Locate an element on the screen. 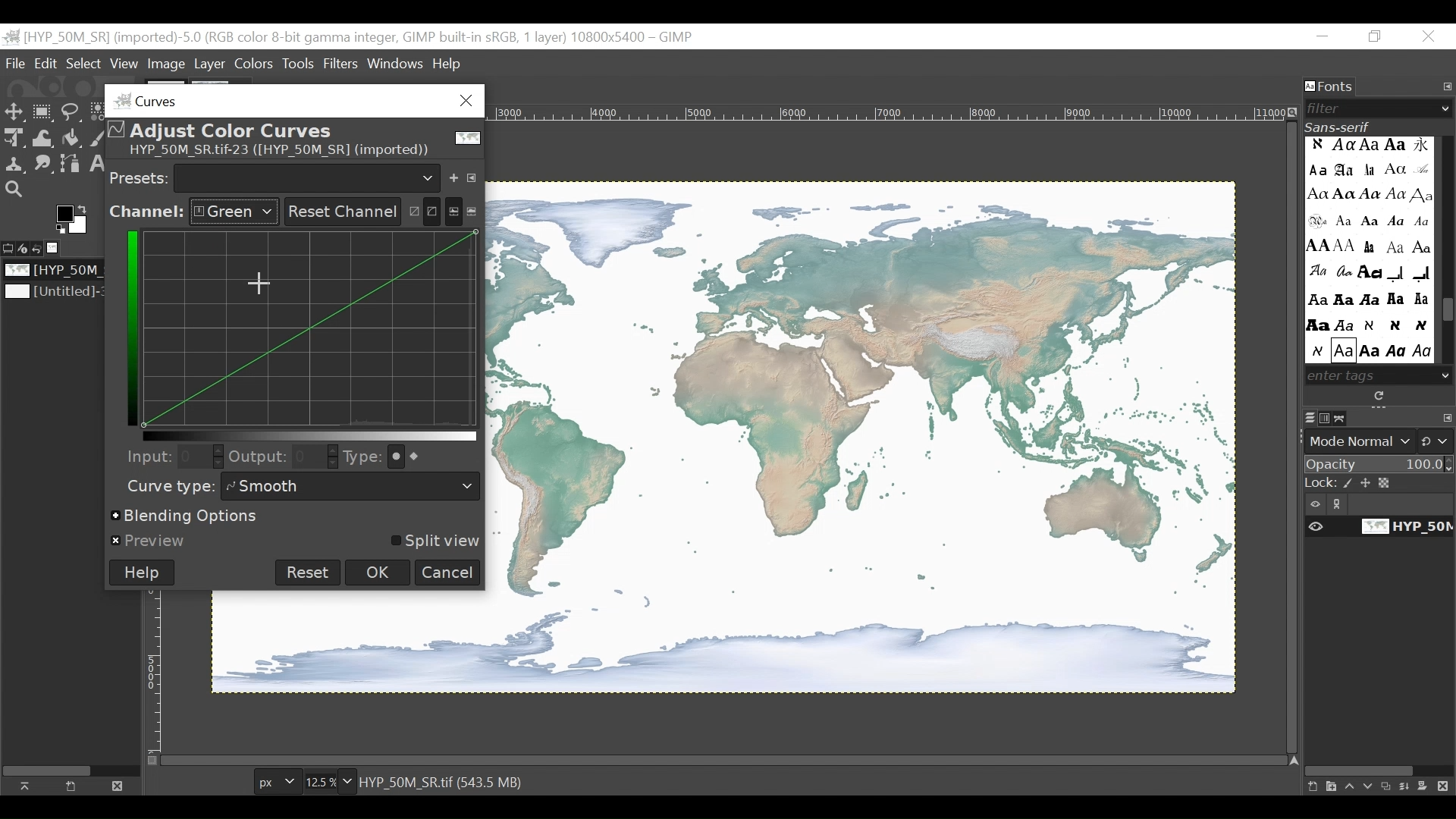  Preview is located at coordinates (149, 541).